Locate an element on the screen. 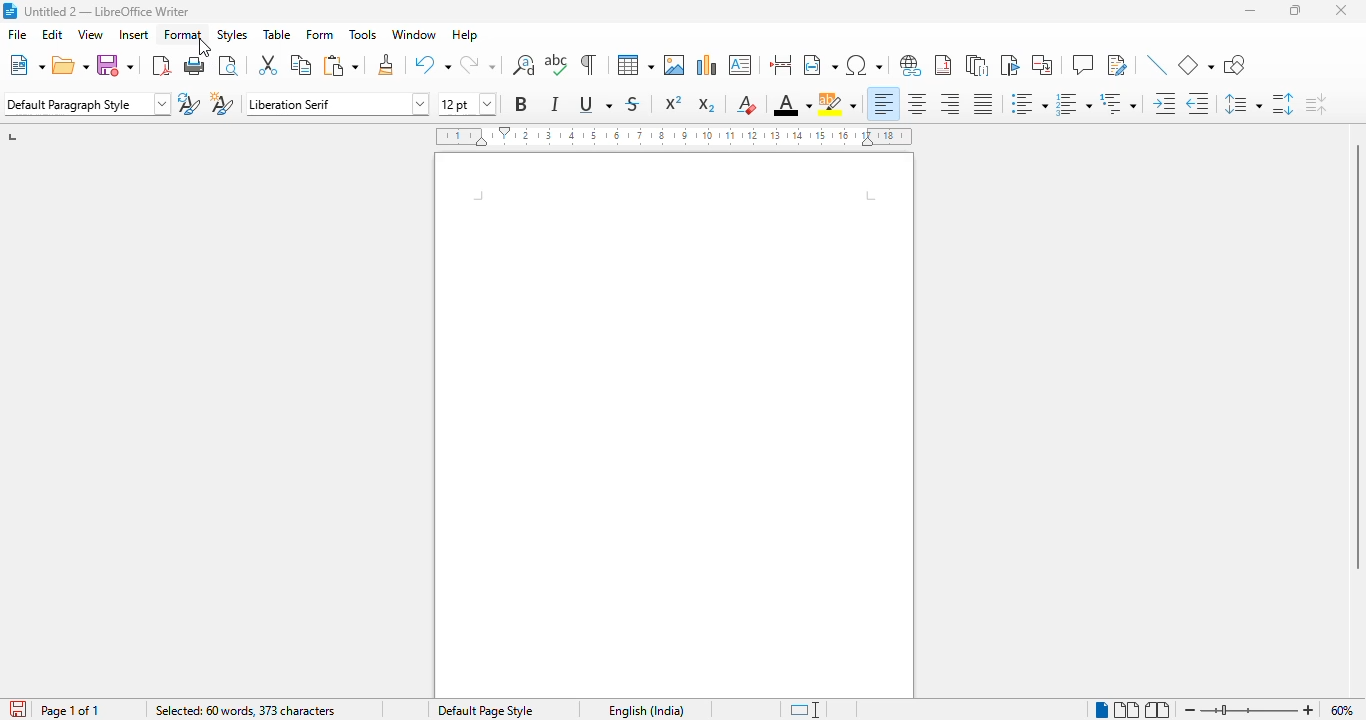 The width and height of the screenshot is (1366, 720). insert chart is located at coordinates (707, 64).